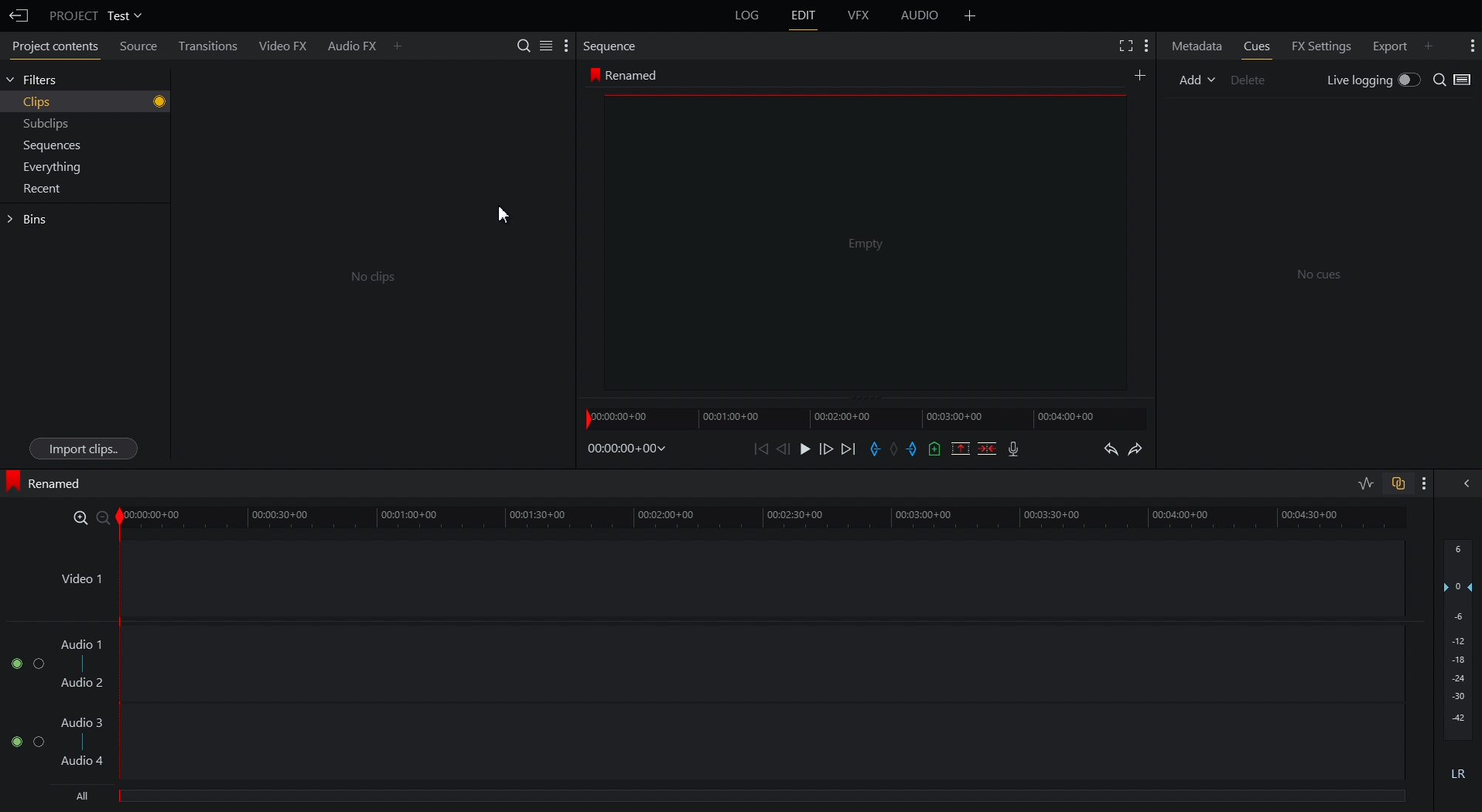  What do you see at coordinates (1468, 44) in the screenshot?
I see `More` at bounding box center [1468, 44].